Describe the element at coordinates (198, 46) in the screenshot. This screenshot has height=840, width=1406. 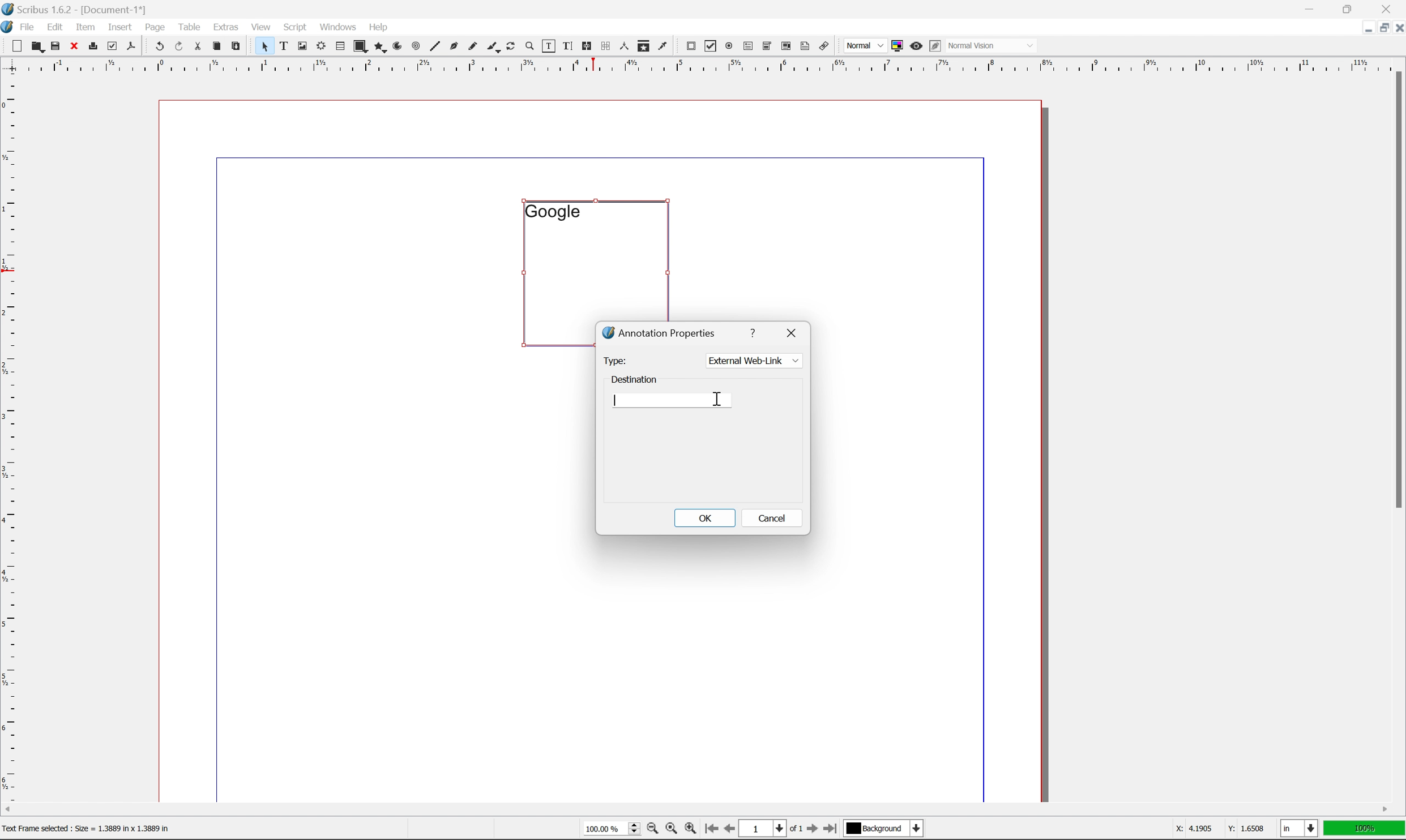
I see `cut` at that location.